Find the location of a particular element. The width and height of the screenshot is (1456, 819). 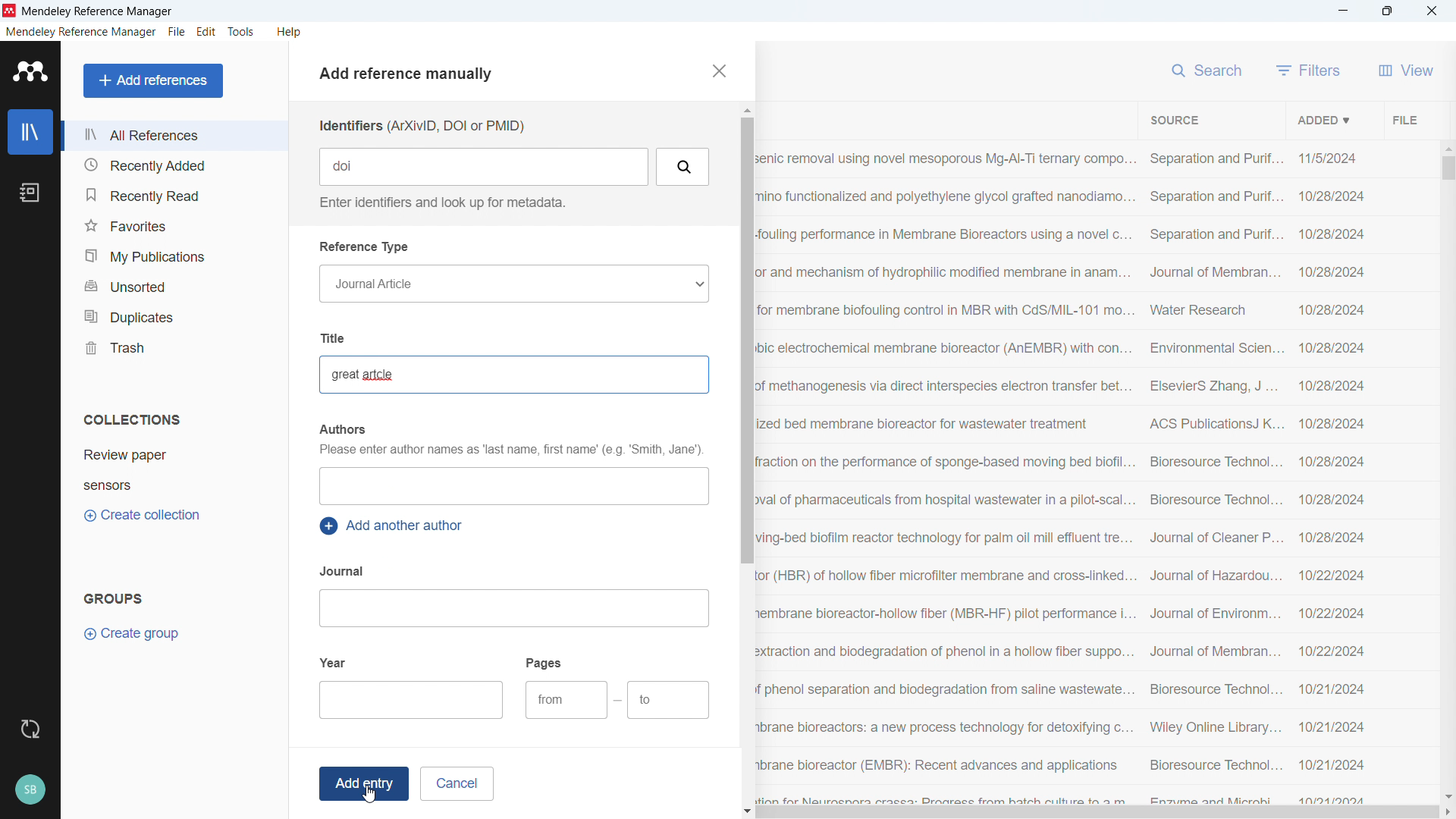

cancel  is located at coordinates (457, 783).